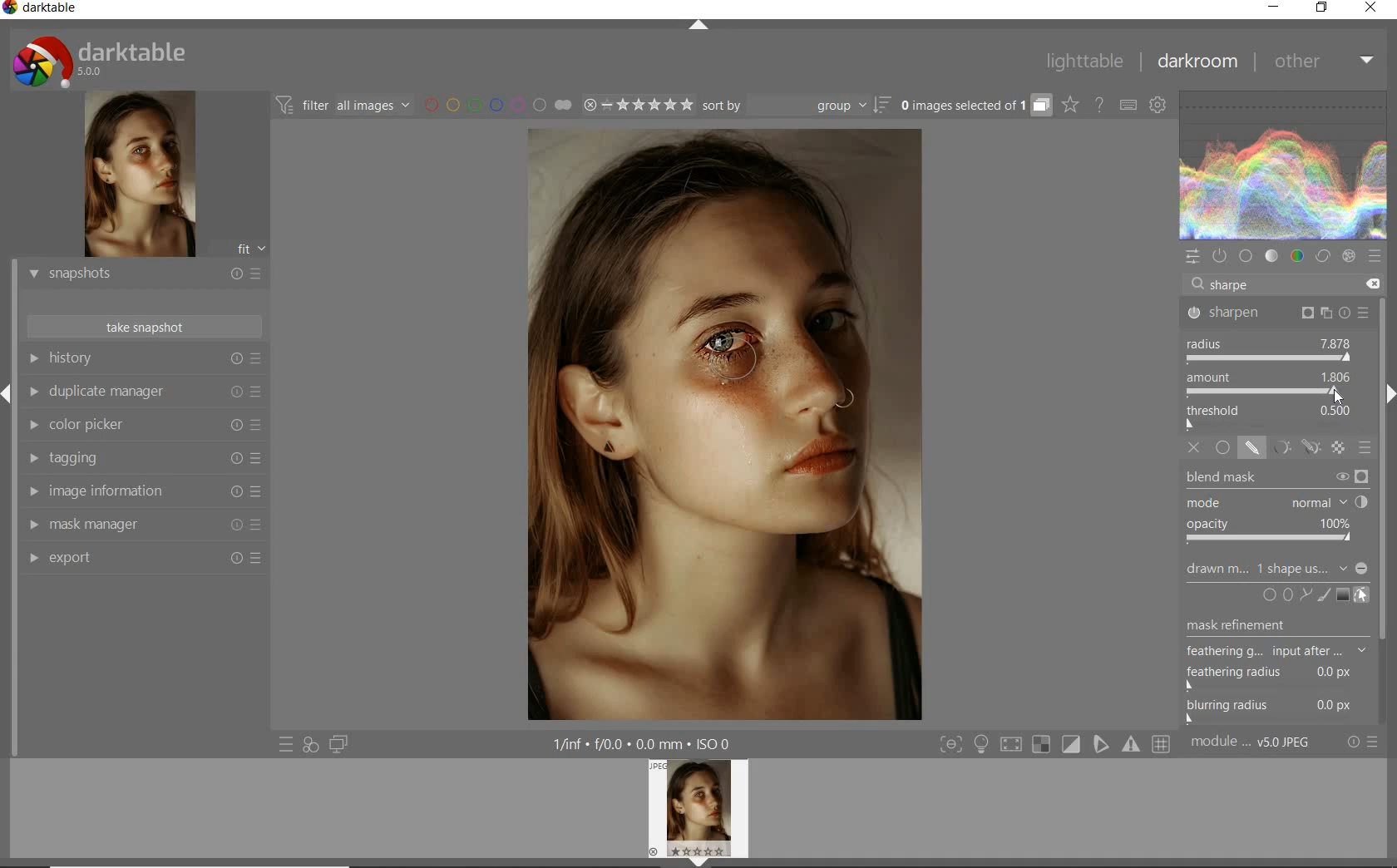 Image resolution: width=1397 pixels, height=868 pixels. I want to click on color picker, so click(144, 427).